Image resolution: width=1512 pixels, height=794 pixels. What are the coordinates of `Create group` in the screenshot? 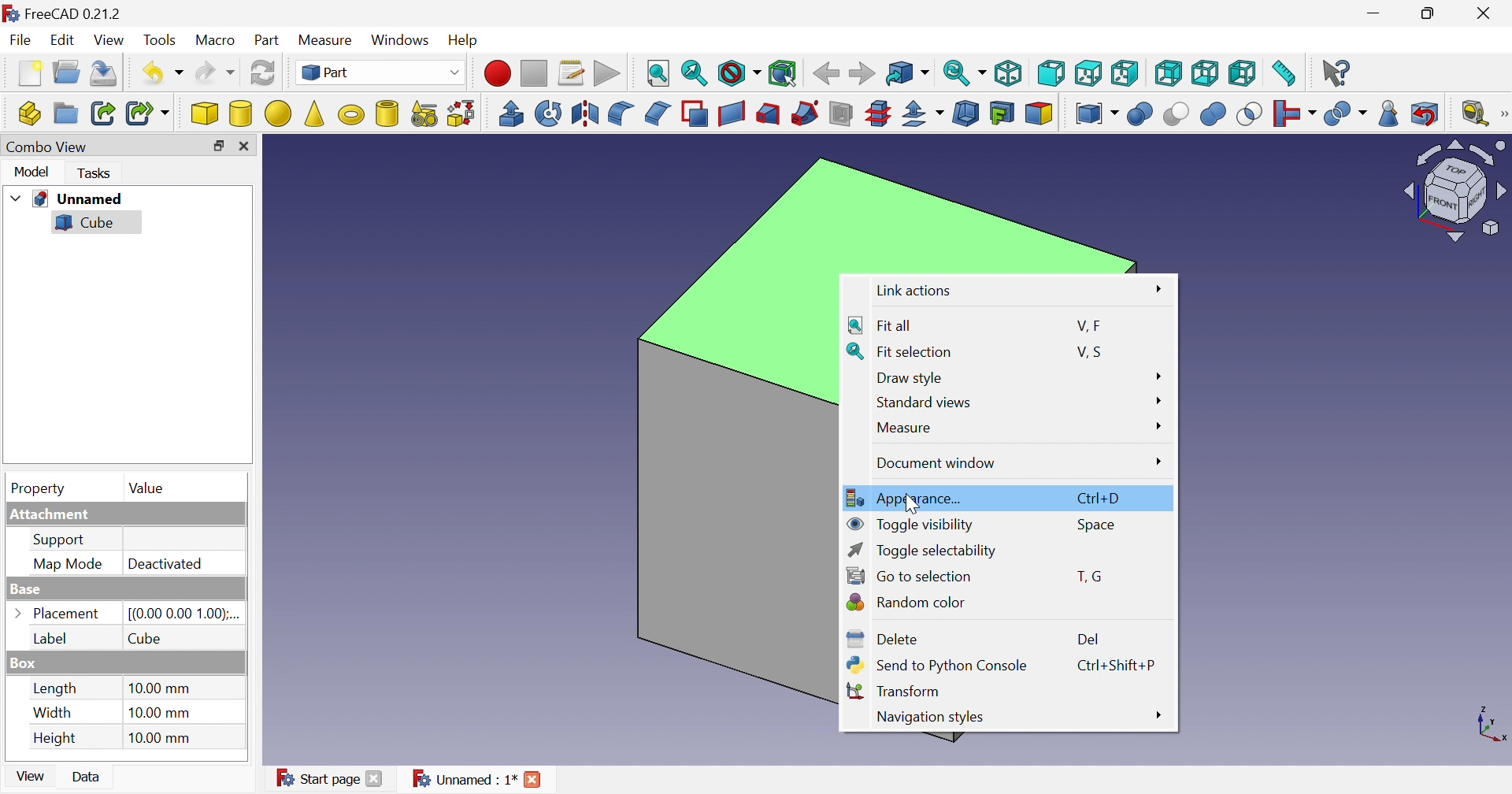 It's located at (65, 113).